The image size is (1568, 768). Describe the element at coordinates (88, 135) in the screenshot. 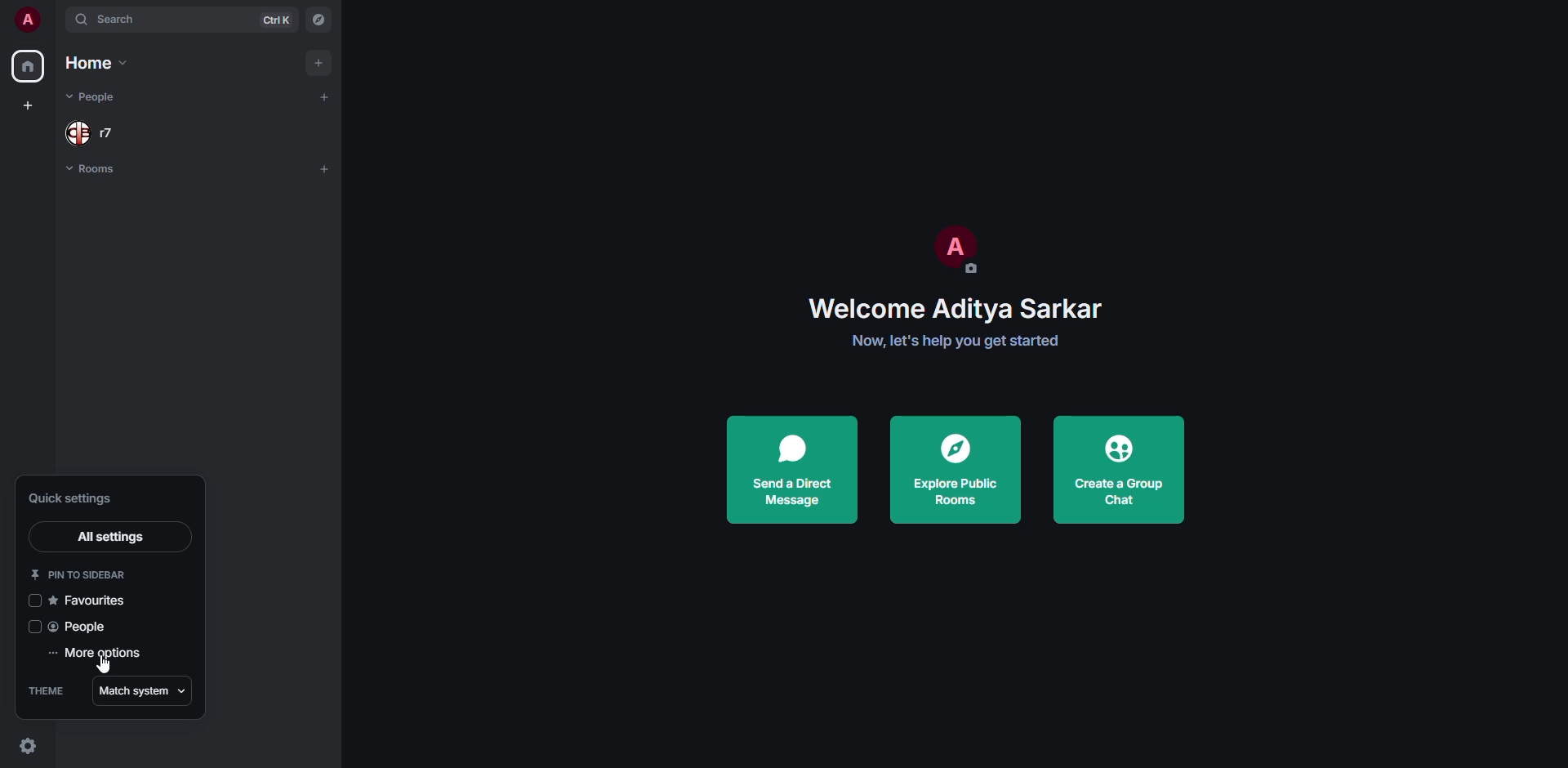

I see `people` at that location.